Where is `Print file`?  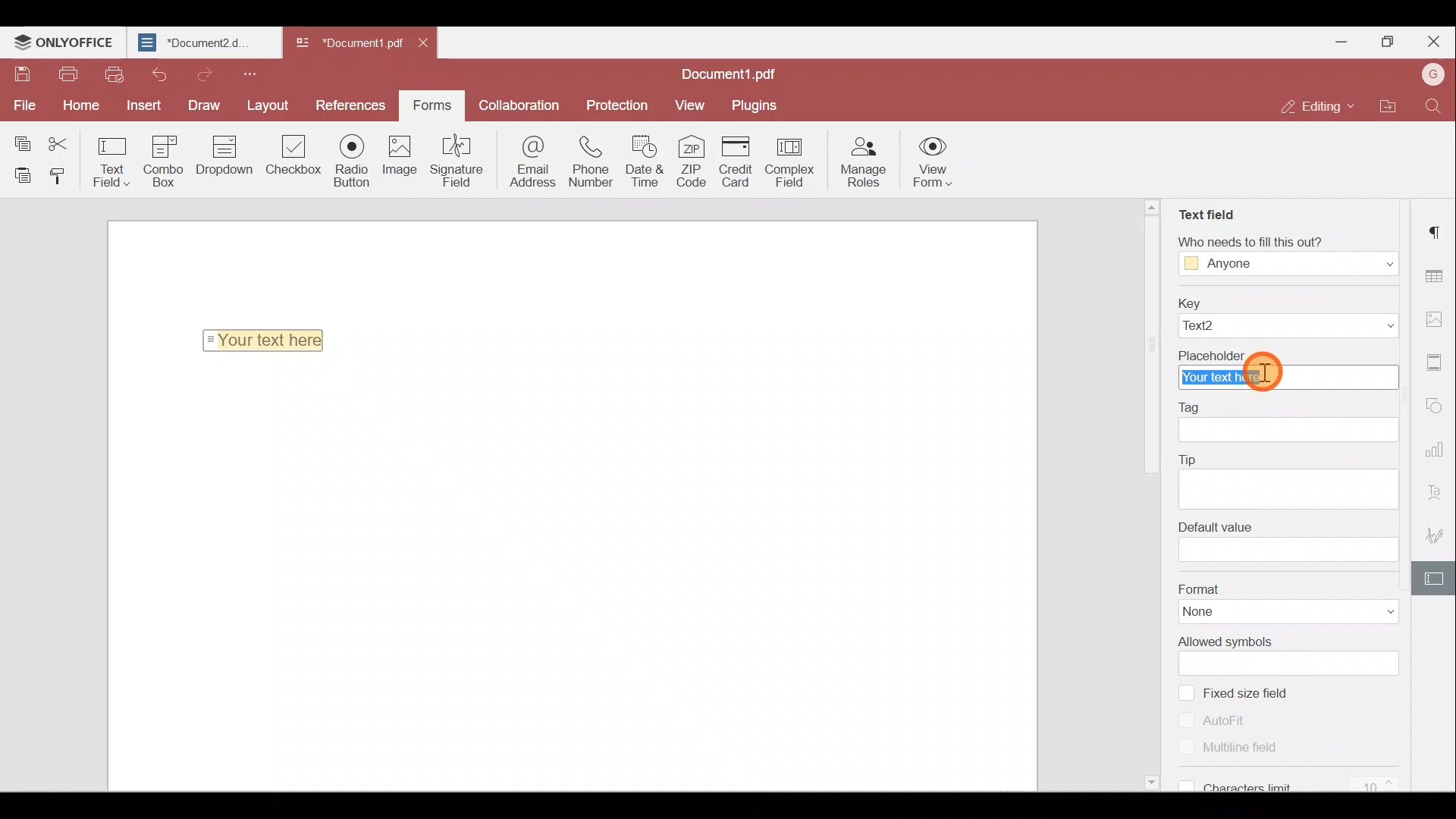
Print file is located at coordinates (67, 74).